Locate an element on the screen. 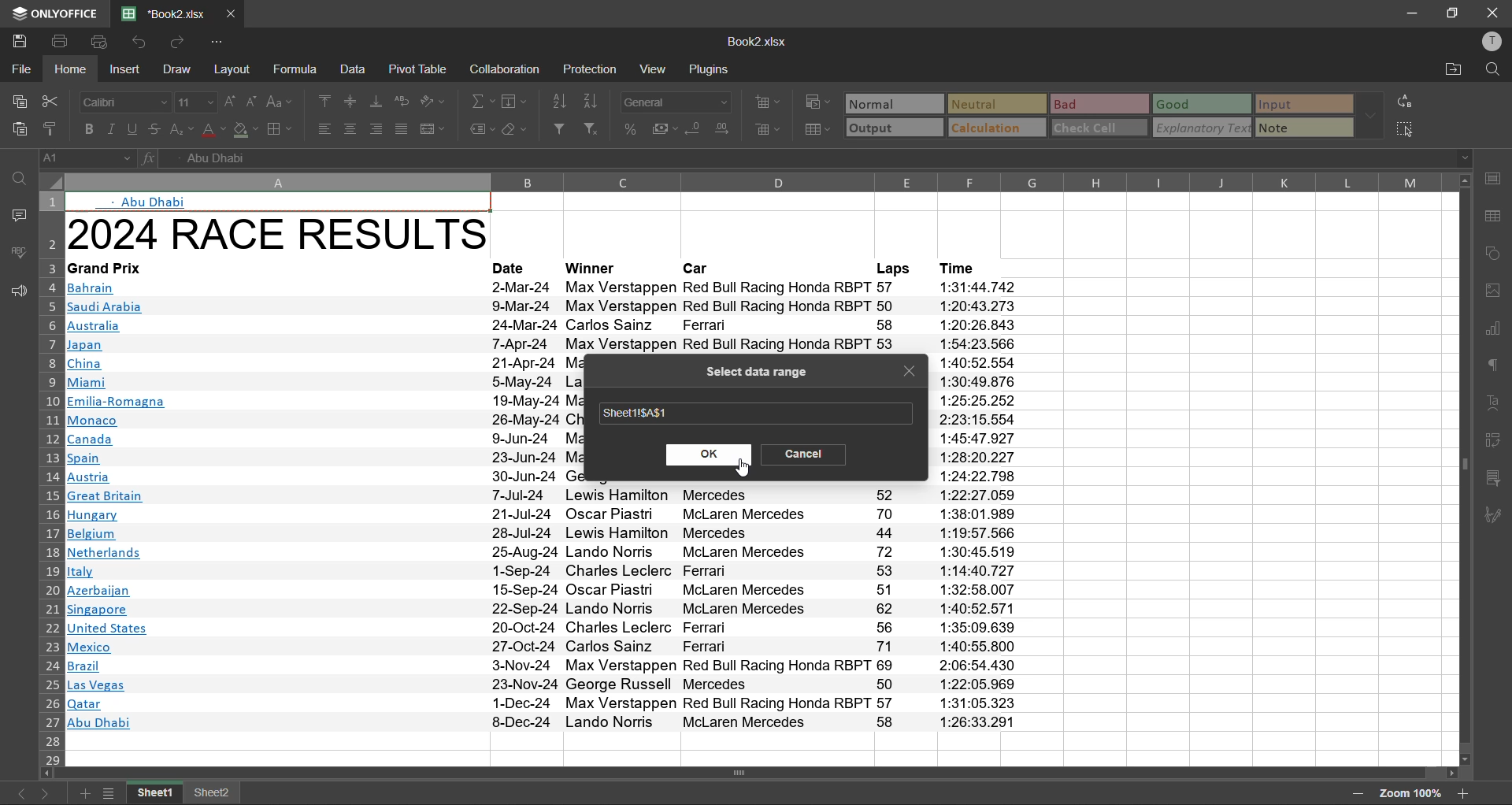 The height and width of the screenshot is (805, 1512). image is located at coordinates (1493, 293).